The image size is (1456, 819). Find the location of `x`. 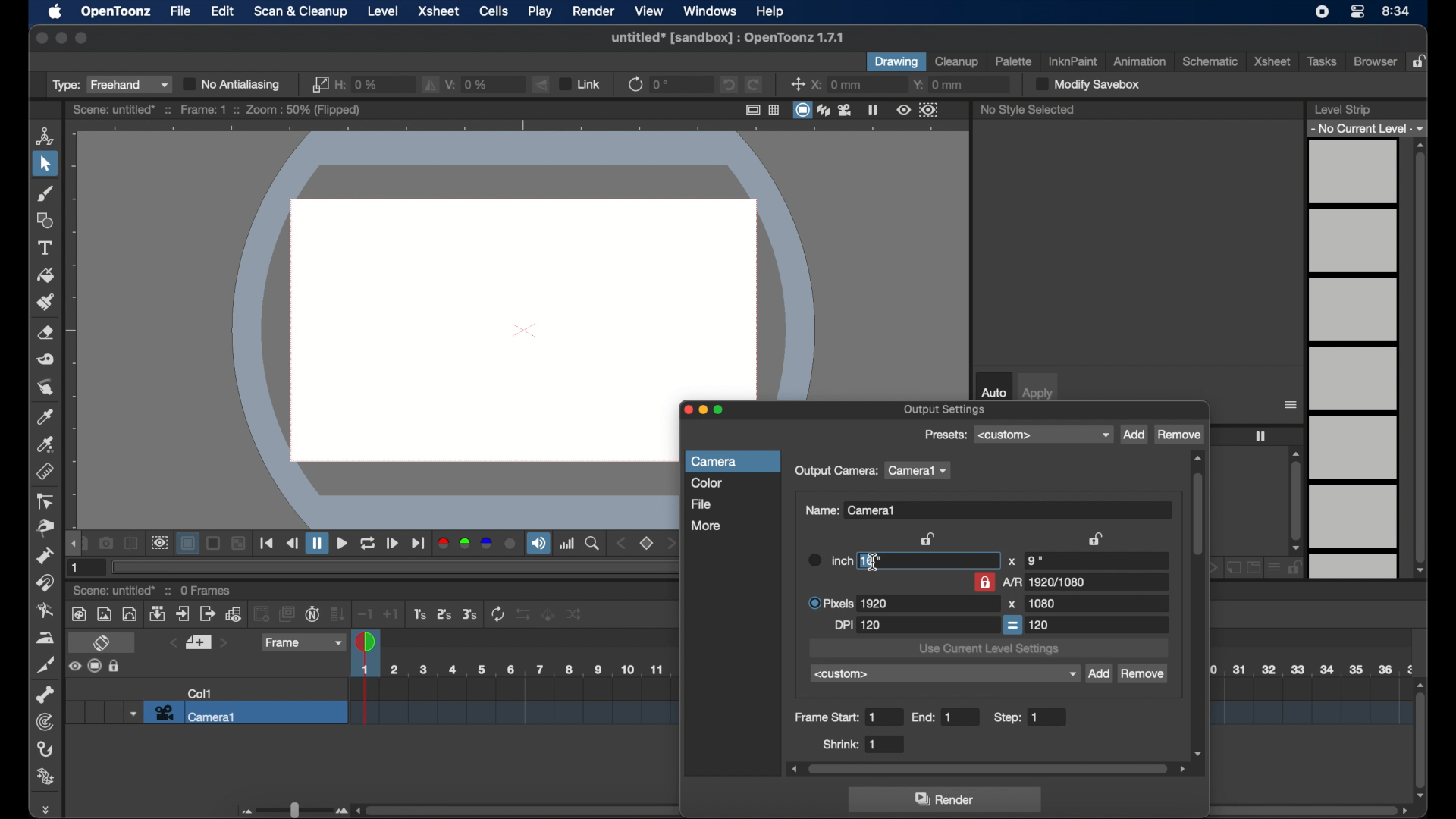

x is located at coordinates (1012, 562).